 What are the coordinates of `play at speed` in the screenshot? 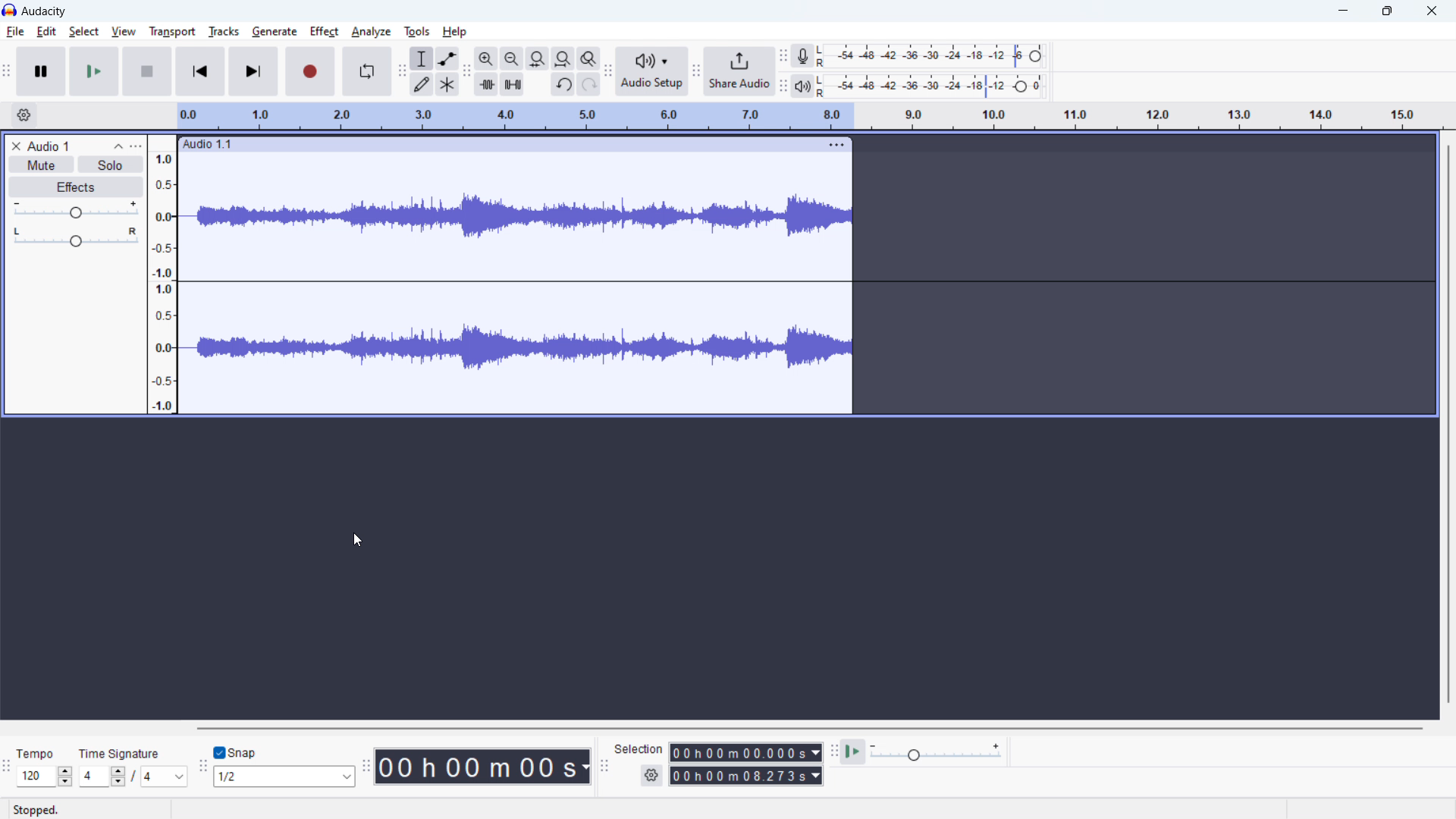 It's located at (854, 751).